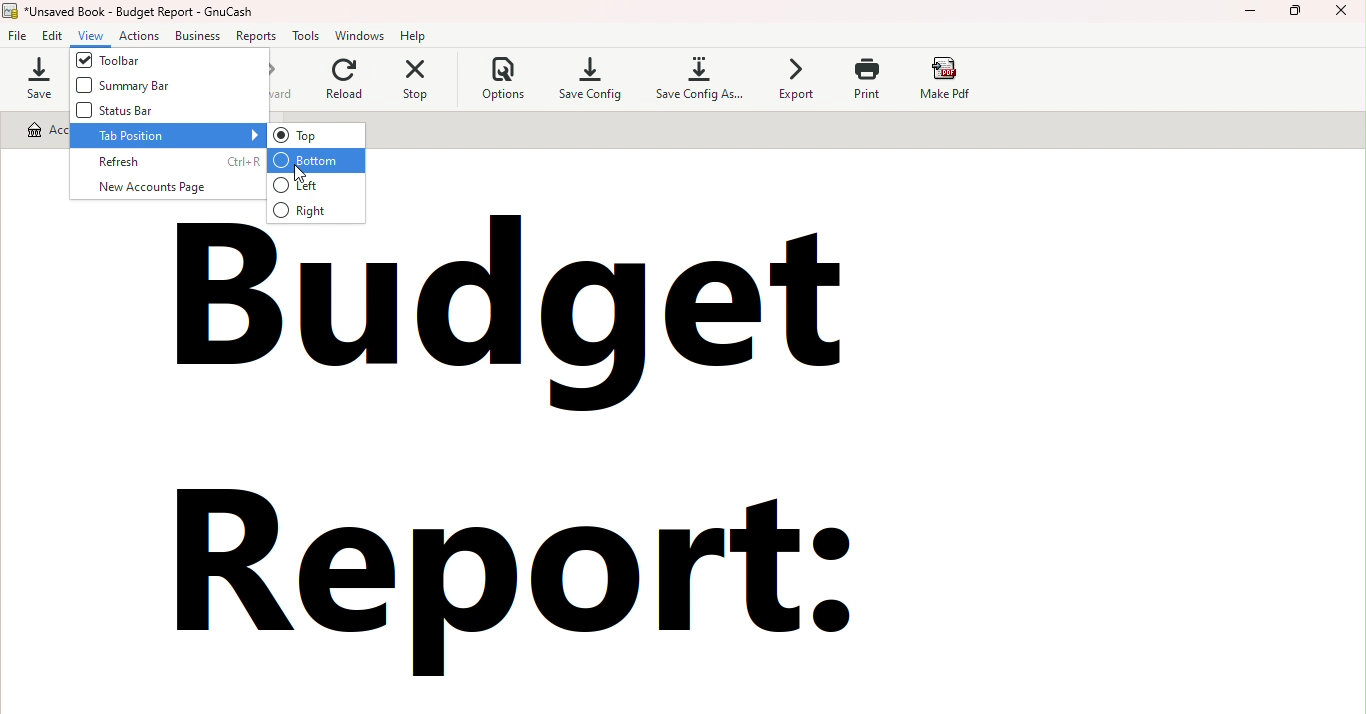 The height and width of the screenshot is (714, 1366). Describe the element at coordinates (316, 136) in the screenshot. I see `Top` at that location.